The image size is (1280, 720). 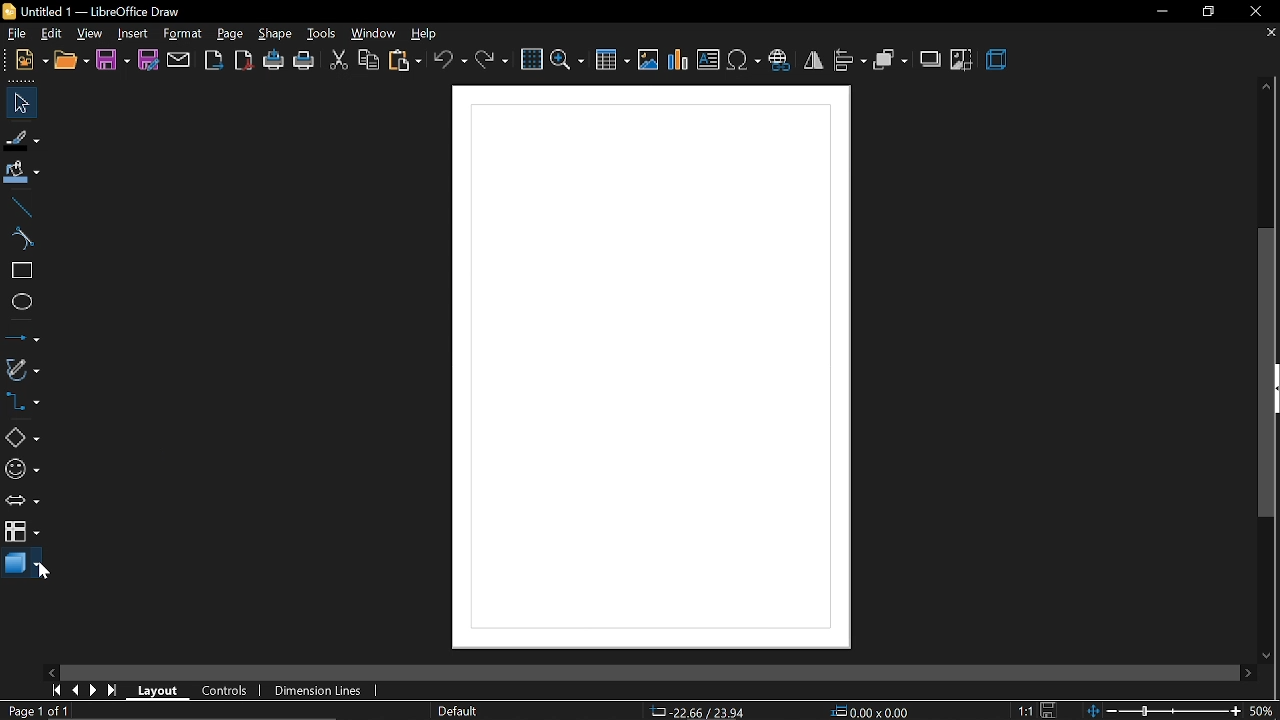 I want to click on insert symbol, so click(x=743, y=60).